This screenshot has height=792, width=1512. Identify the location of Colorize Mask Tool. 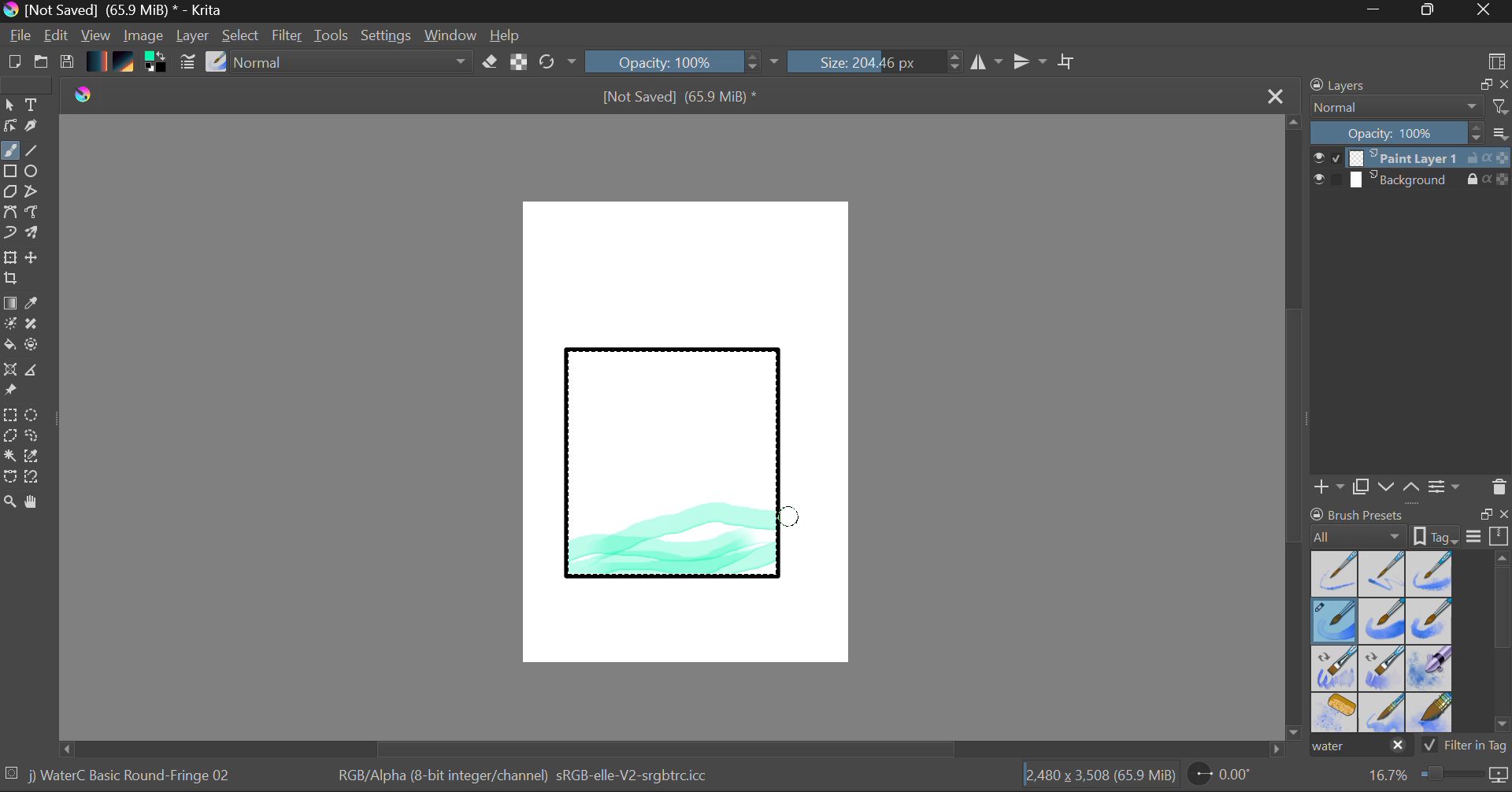
(11, 325).